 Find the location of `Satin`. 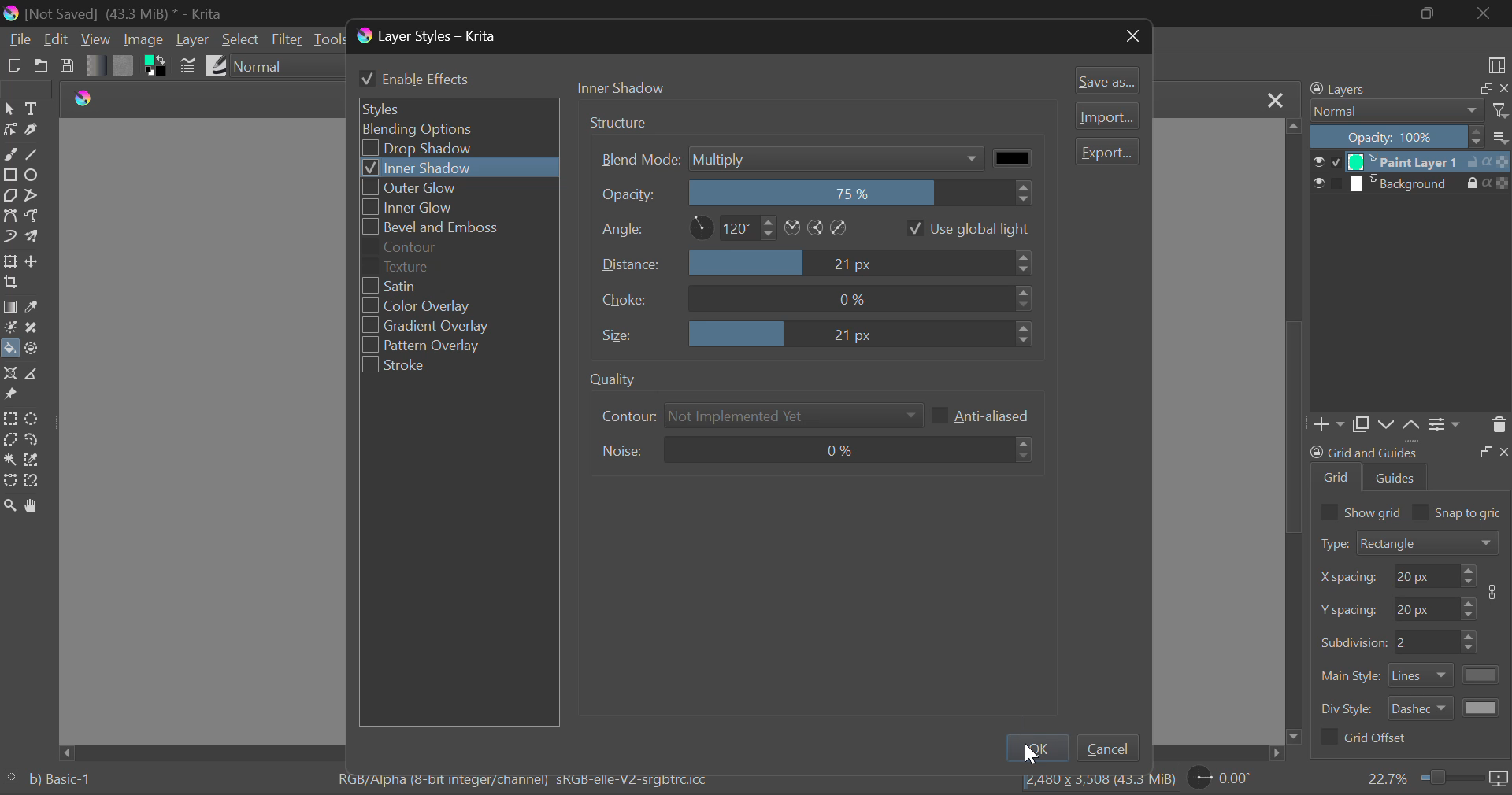

Satin is located at coordinates (431, 287).